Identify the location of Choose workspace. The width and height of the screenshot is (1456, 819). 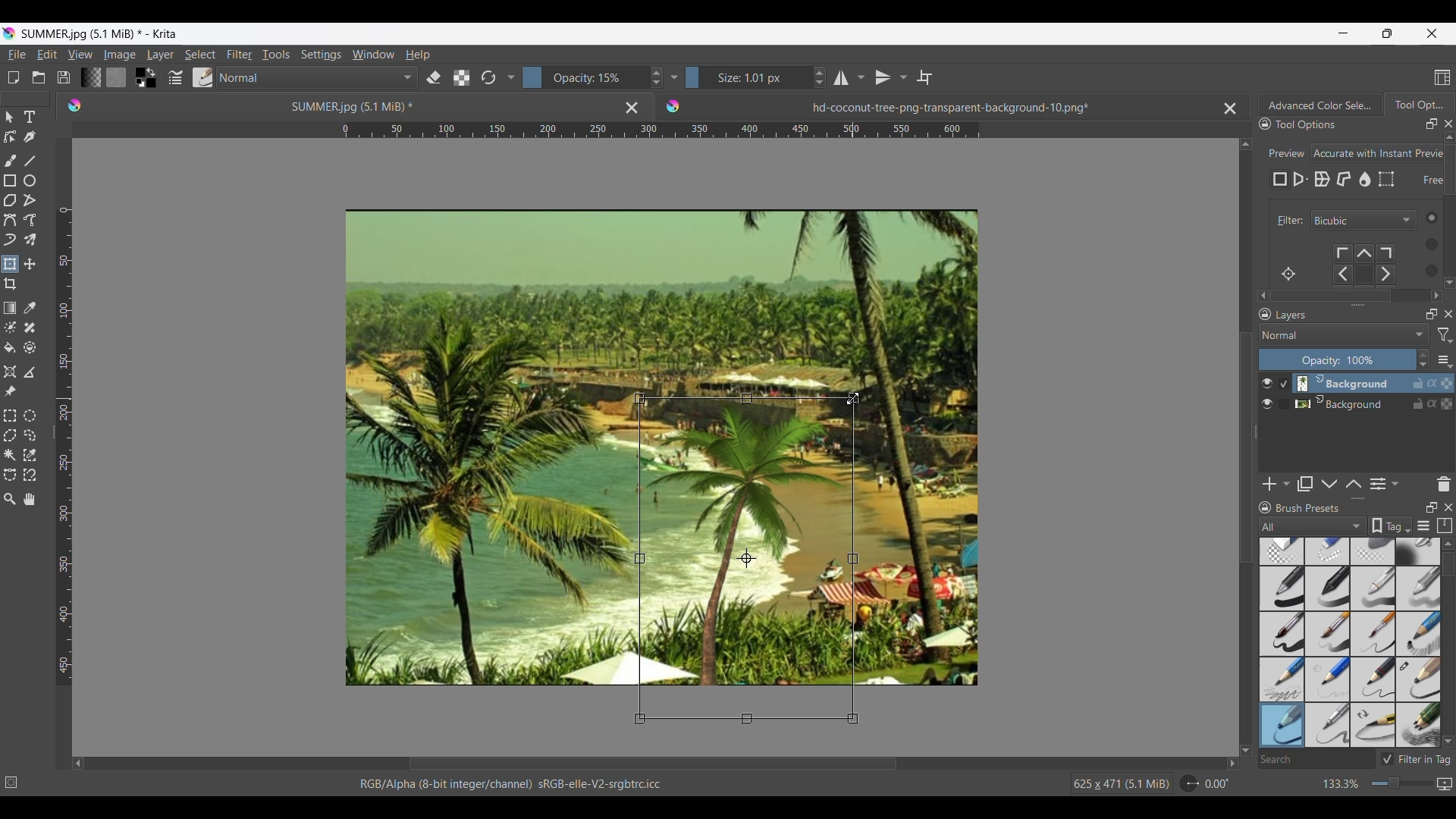
(1442, 77).